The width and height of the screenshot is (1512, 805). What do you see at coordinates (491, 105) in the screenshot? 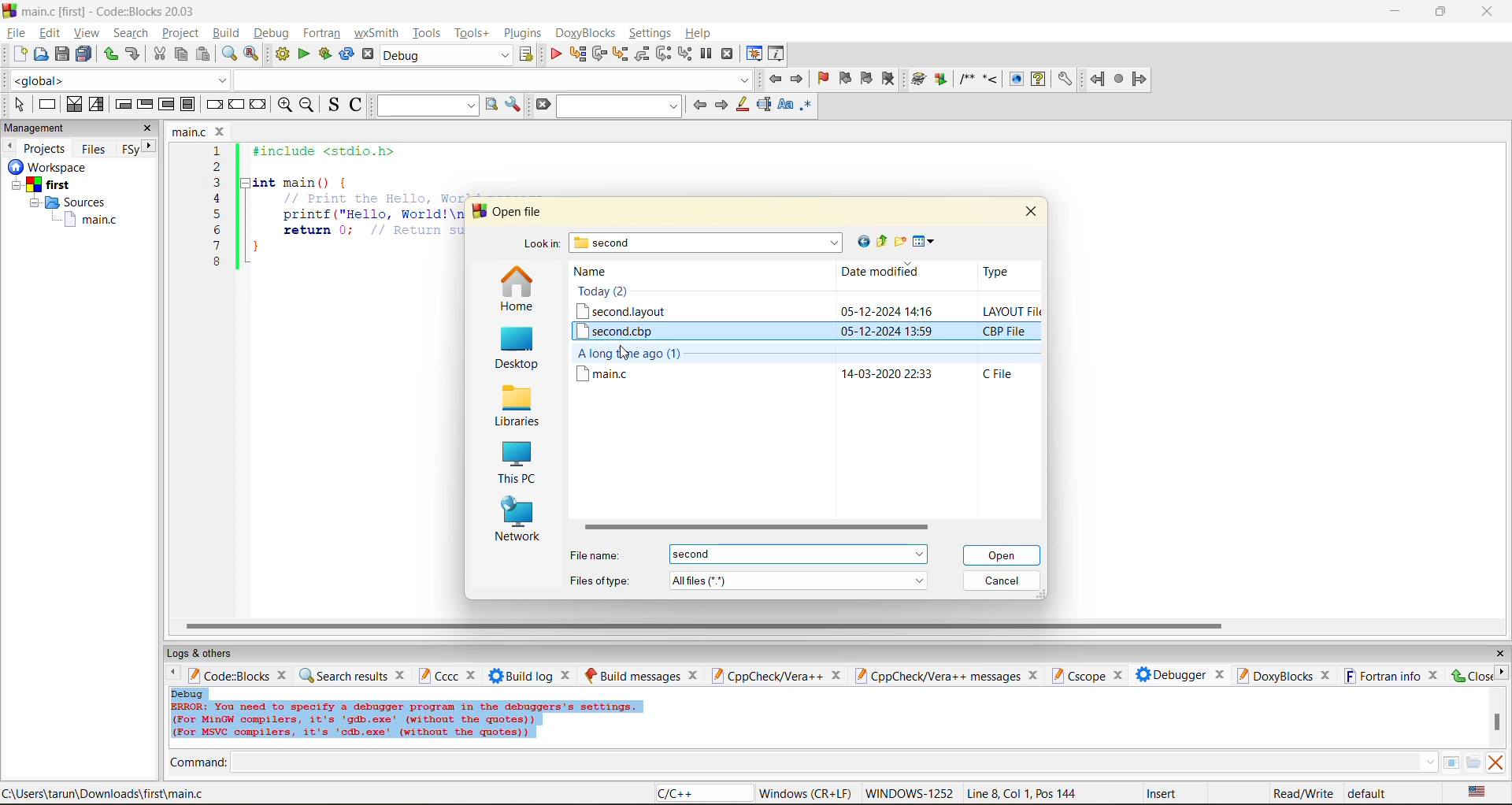
I see `run search` at bounding box center [491, 105].